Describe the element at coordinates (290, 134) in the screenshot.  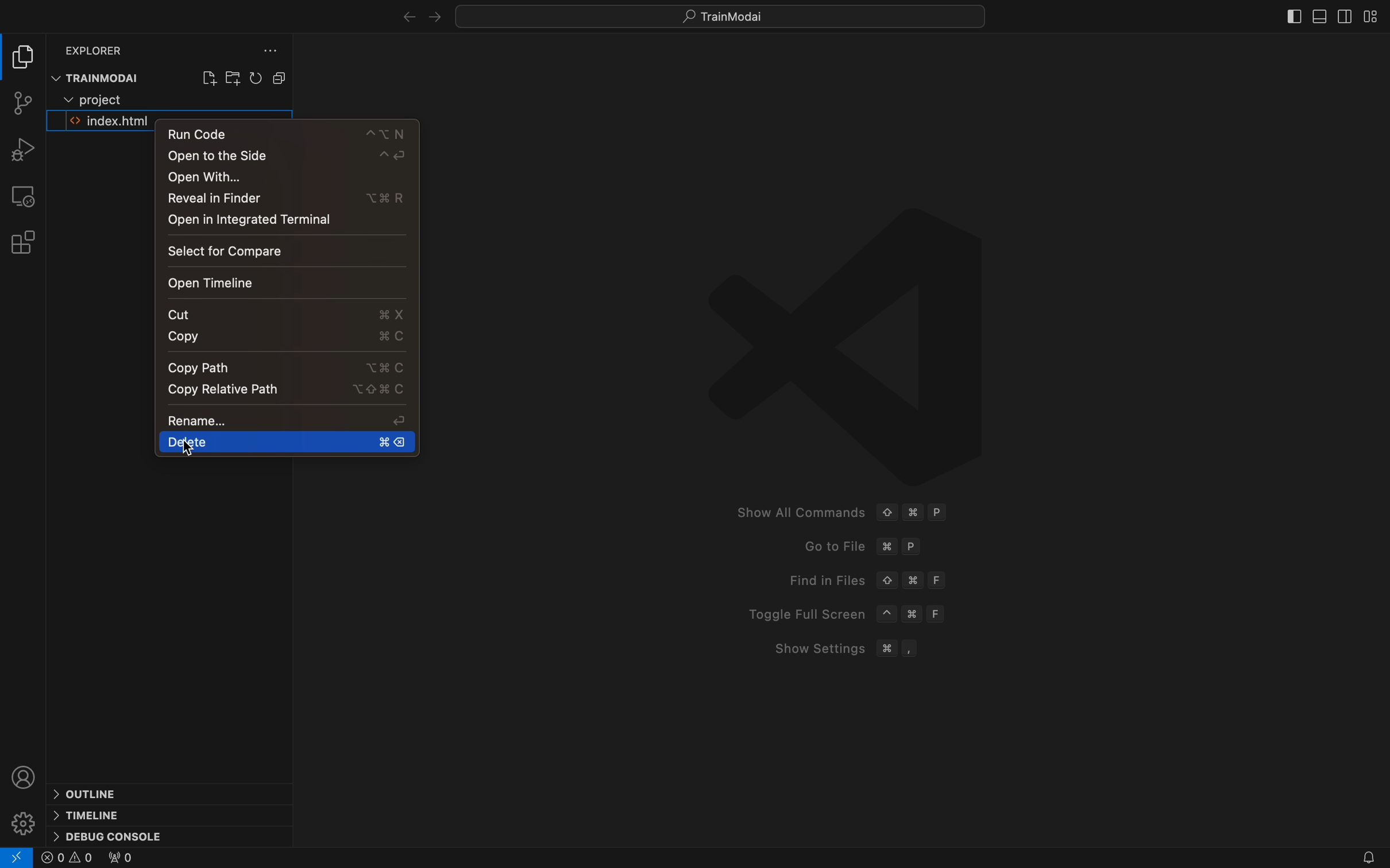
I see `run code` at that location.